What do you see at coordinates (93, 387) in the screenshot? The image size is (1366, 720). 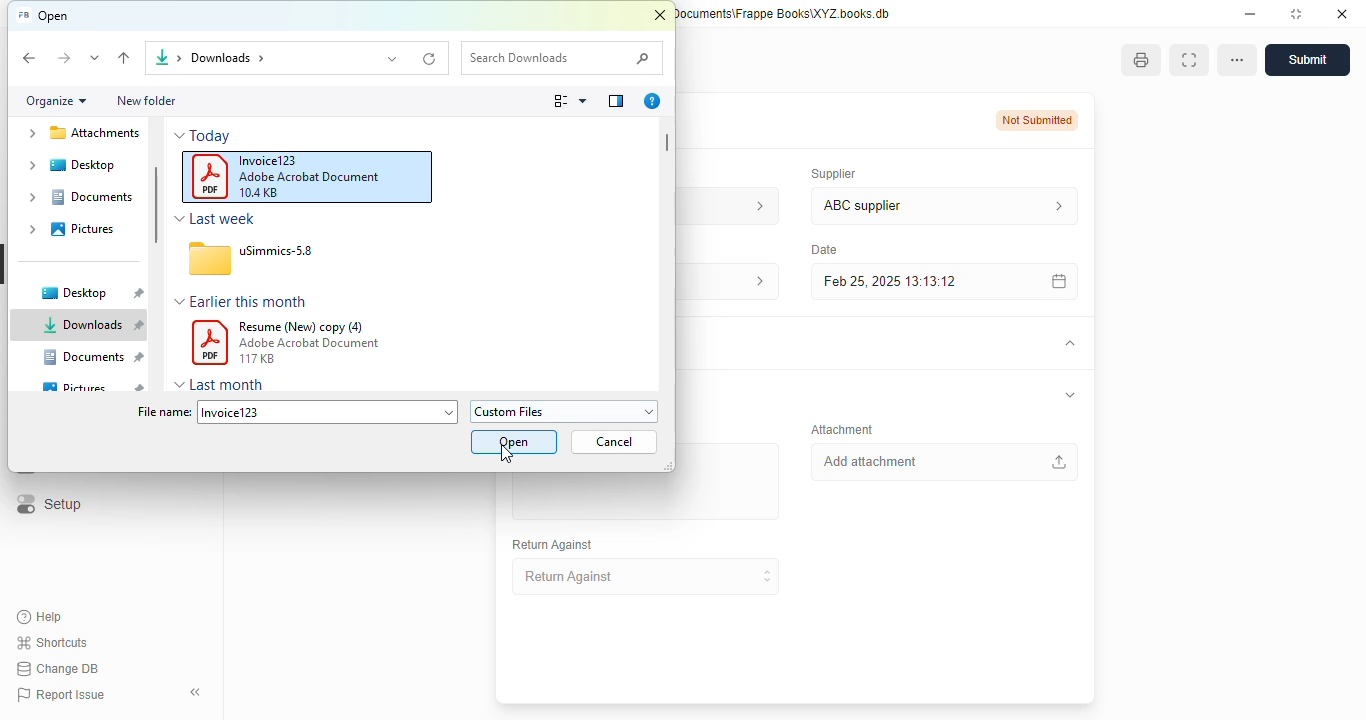 I see `pictures` at bounding box center [93, 387].